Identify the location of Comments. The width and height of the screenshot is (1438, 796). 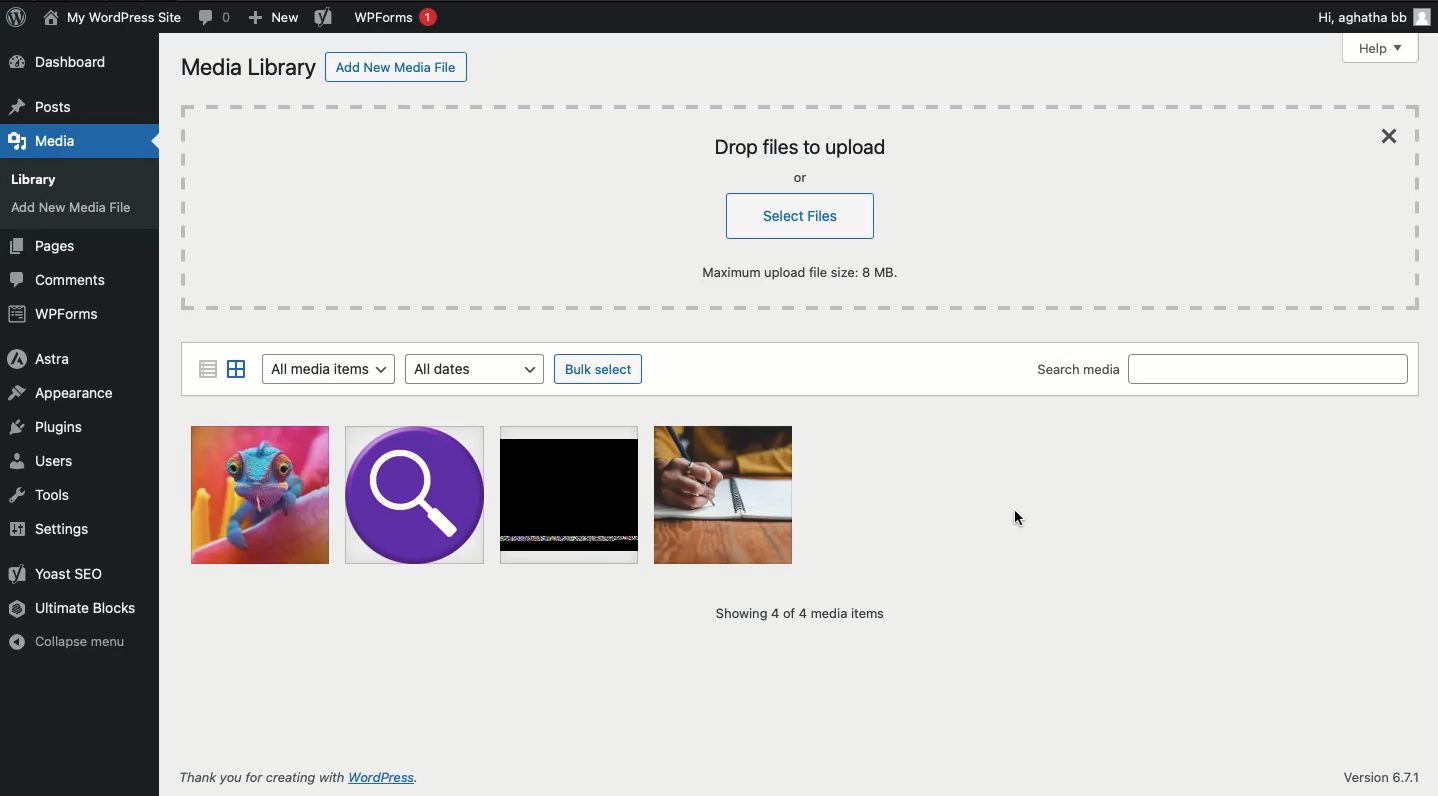
(66, 278).